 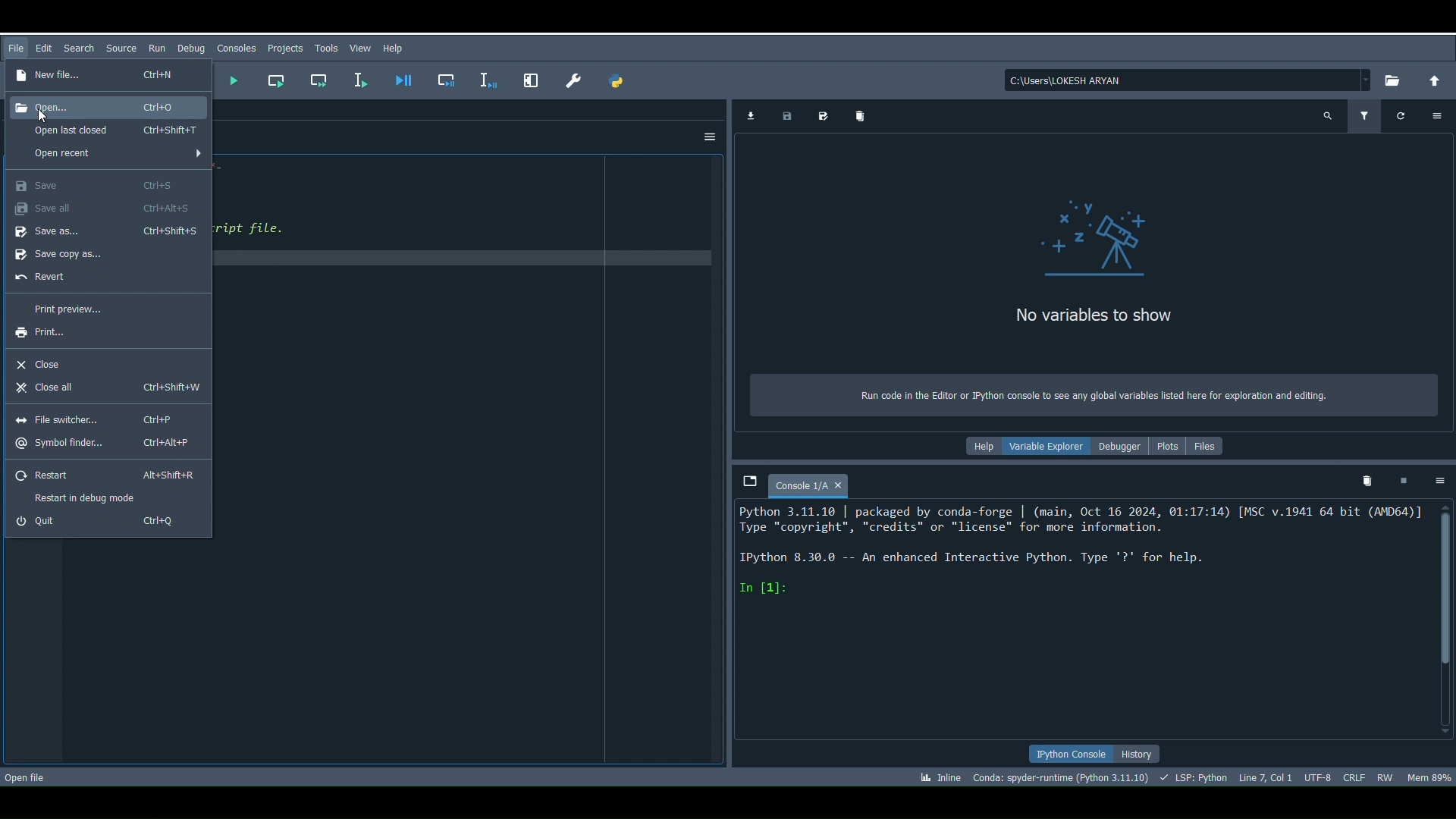 What do you see at coordinates (1401, 482) in the screenshot?
I see `Interrupt kernel` at bounding box center [1401, 482].